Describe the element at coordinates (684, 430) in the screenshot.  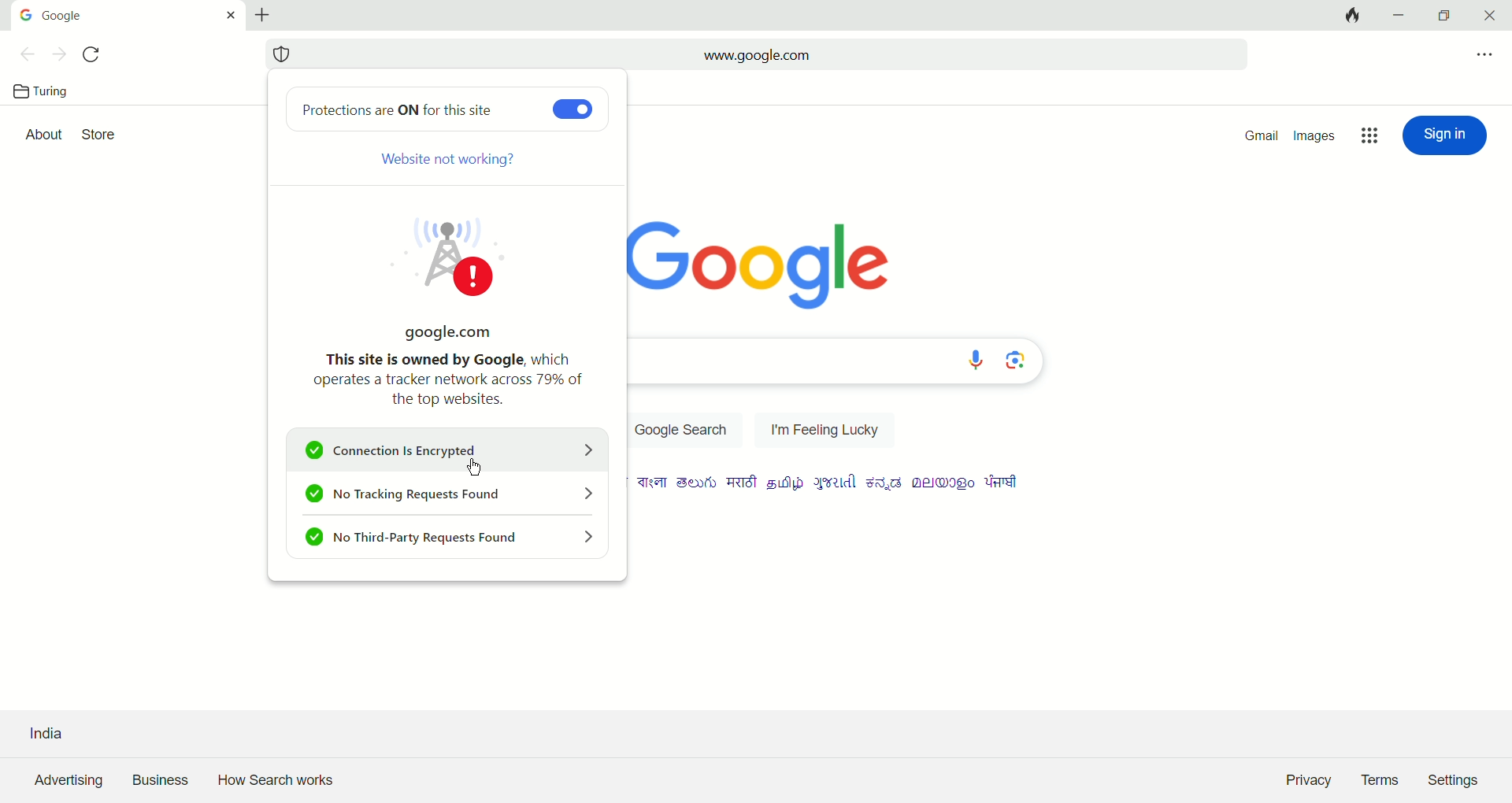
I see `Google Search` at that location.